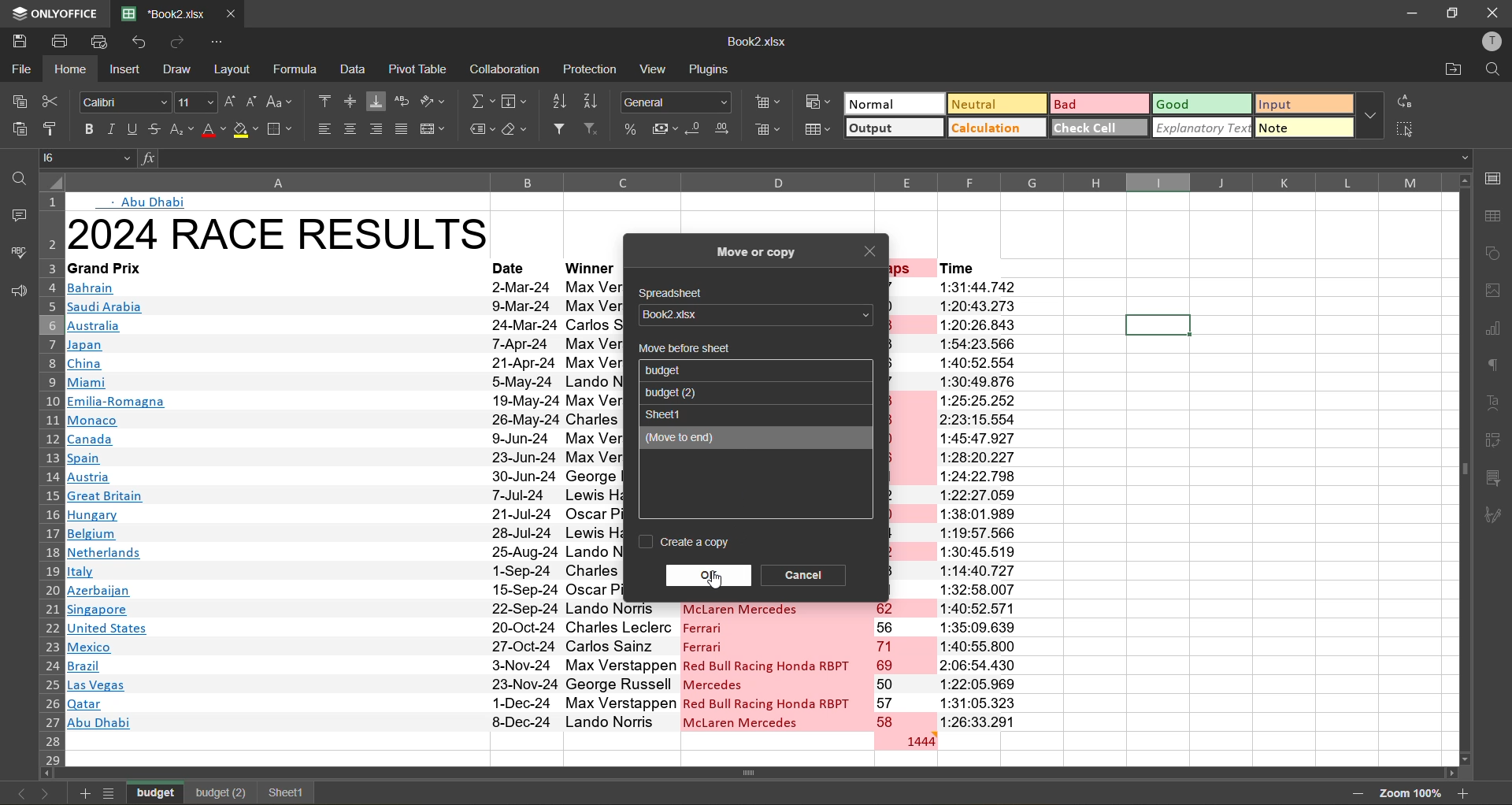 This screenshot has width=1512, height=805. I want to click on open location, so click(1454, 71).